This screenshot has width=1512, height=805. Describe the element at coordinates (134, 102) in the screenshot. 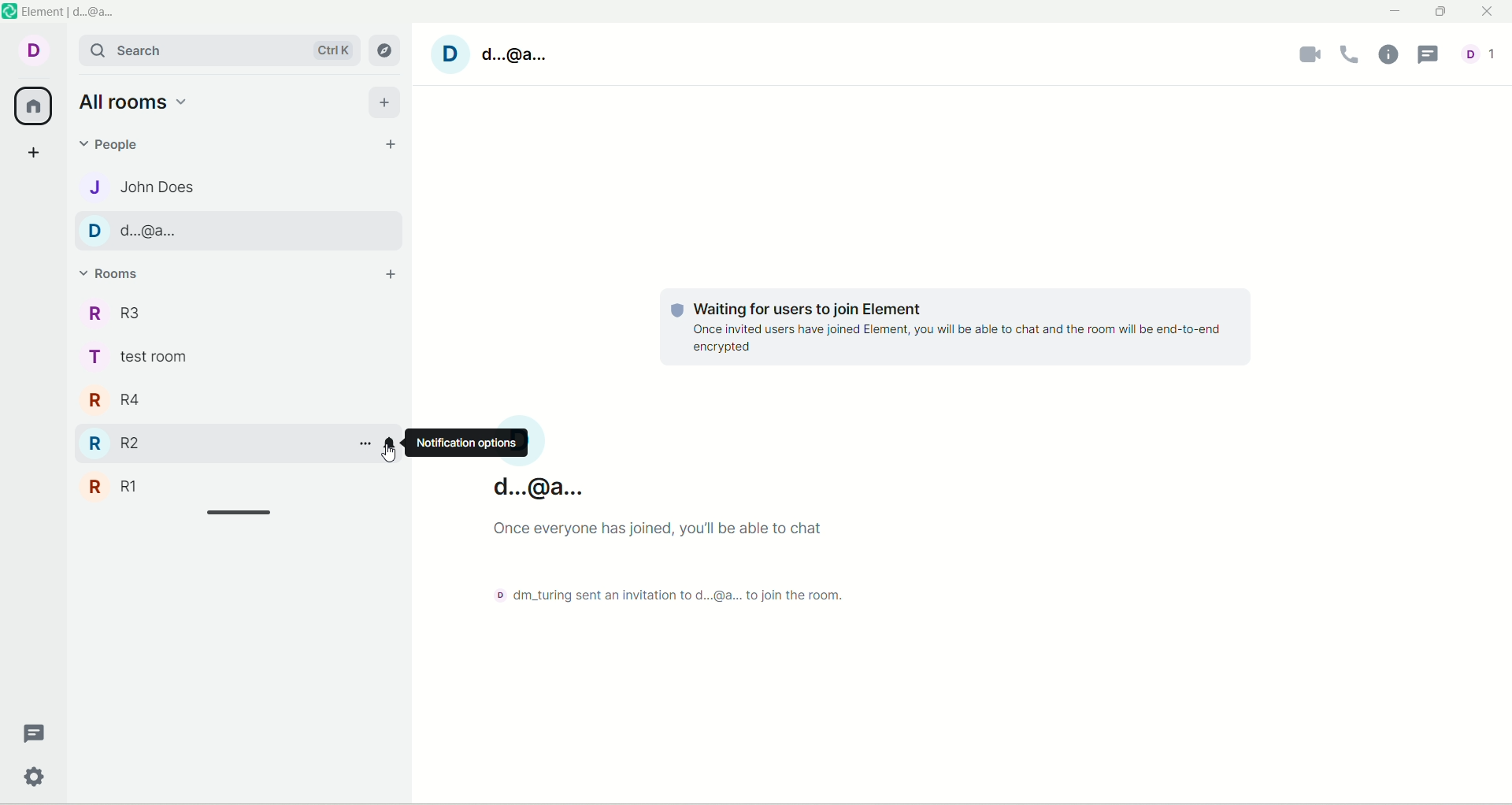

I see `all rooms` at that location.